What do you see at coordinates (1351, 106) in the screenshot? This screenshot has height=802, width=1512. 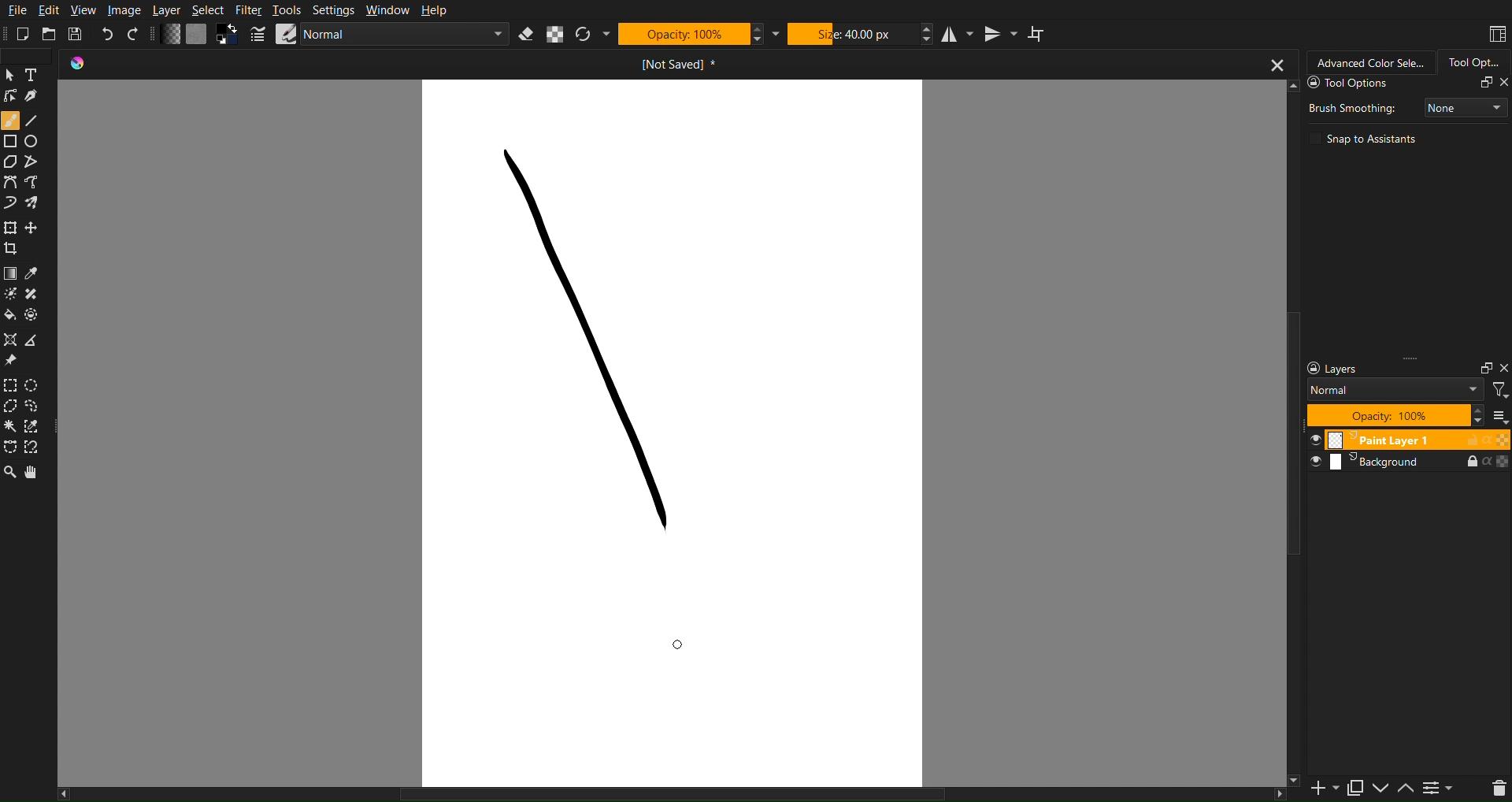 I see `Brush Smoothing` at bounding box center [1351, 106].